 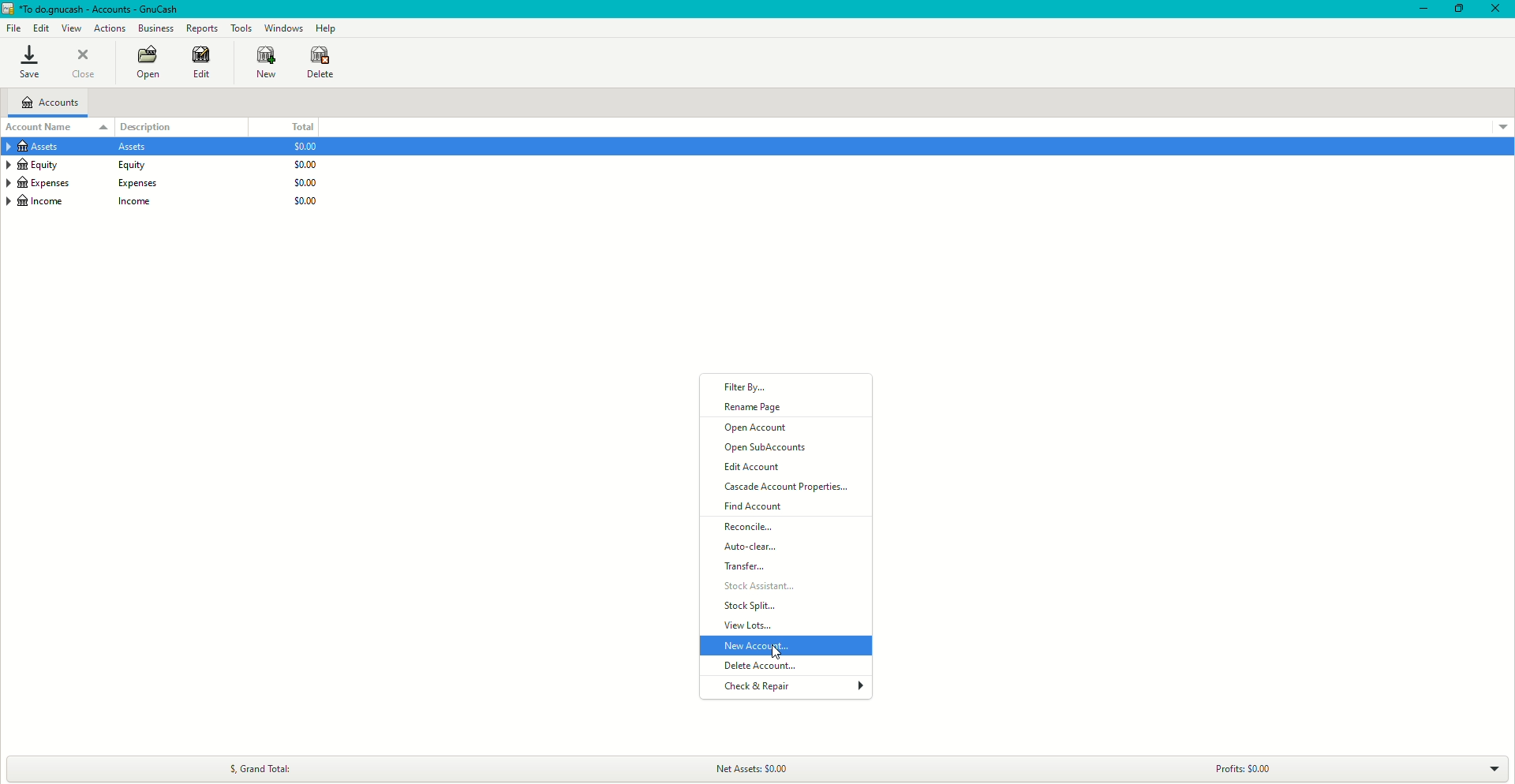 What do you see at coordinates (757, 666) in the screenshot?
I see `Delete Account` at bounding box center [757, 666].